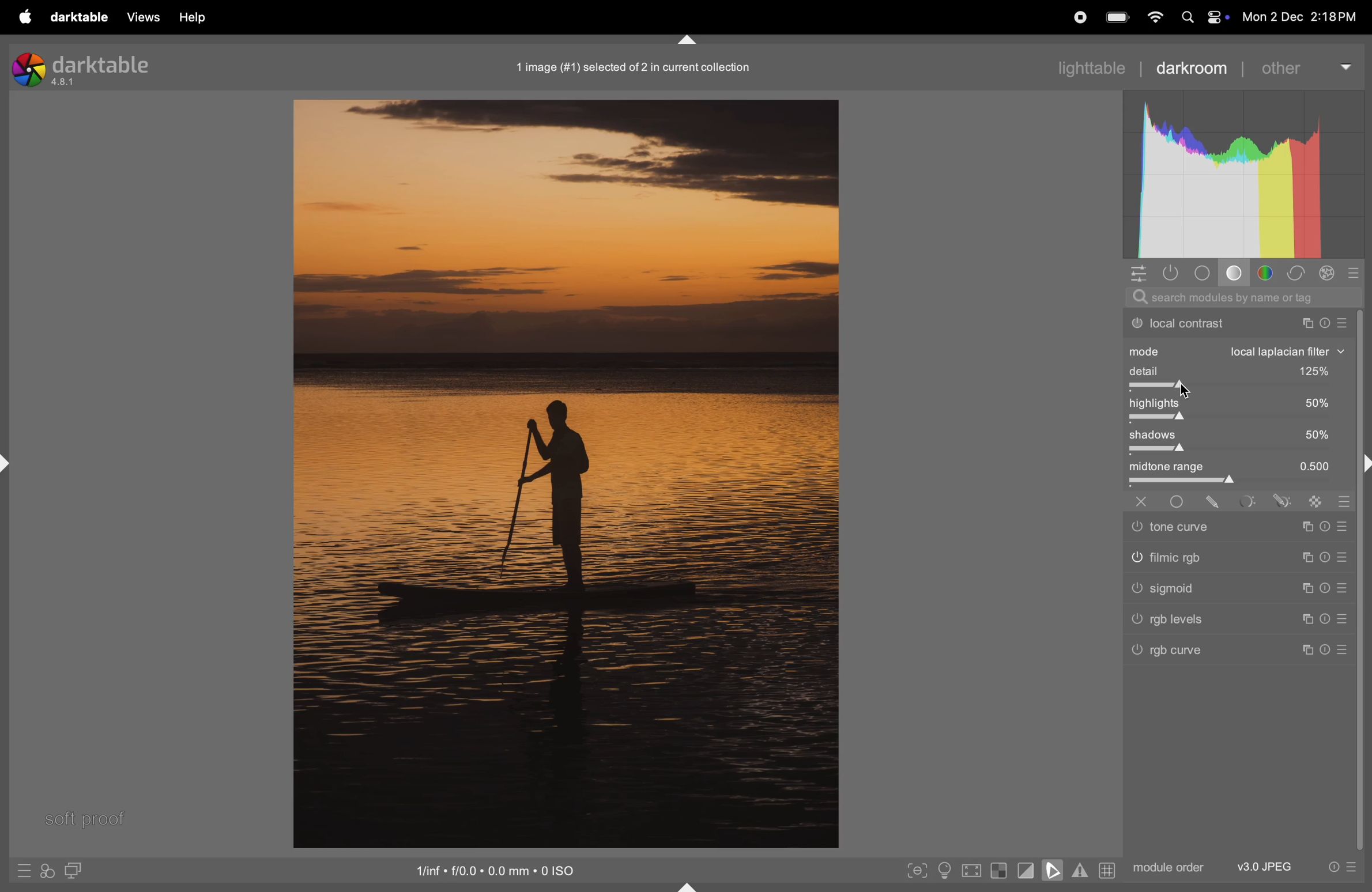 The width and height of the screenshot is (1372, 892). What do you see at coordinates (1080, 872) in the screenshot?
I see `toggle gamut checking` at bounding box center [1080, 872].